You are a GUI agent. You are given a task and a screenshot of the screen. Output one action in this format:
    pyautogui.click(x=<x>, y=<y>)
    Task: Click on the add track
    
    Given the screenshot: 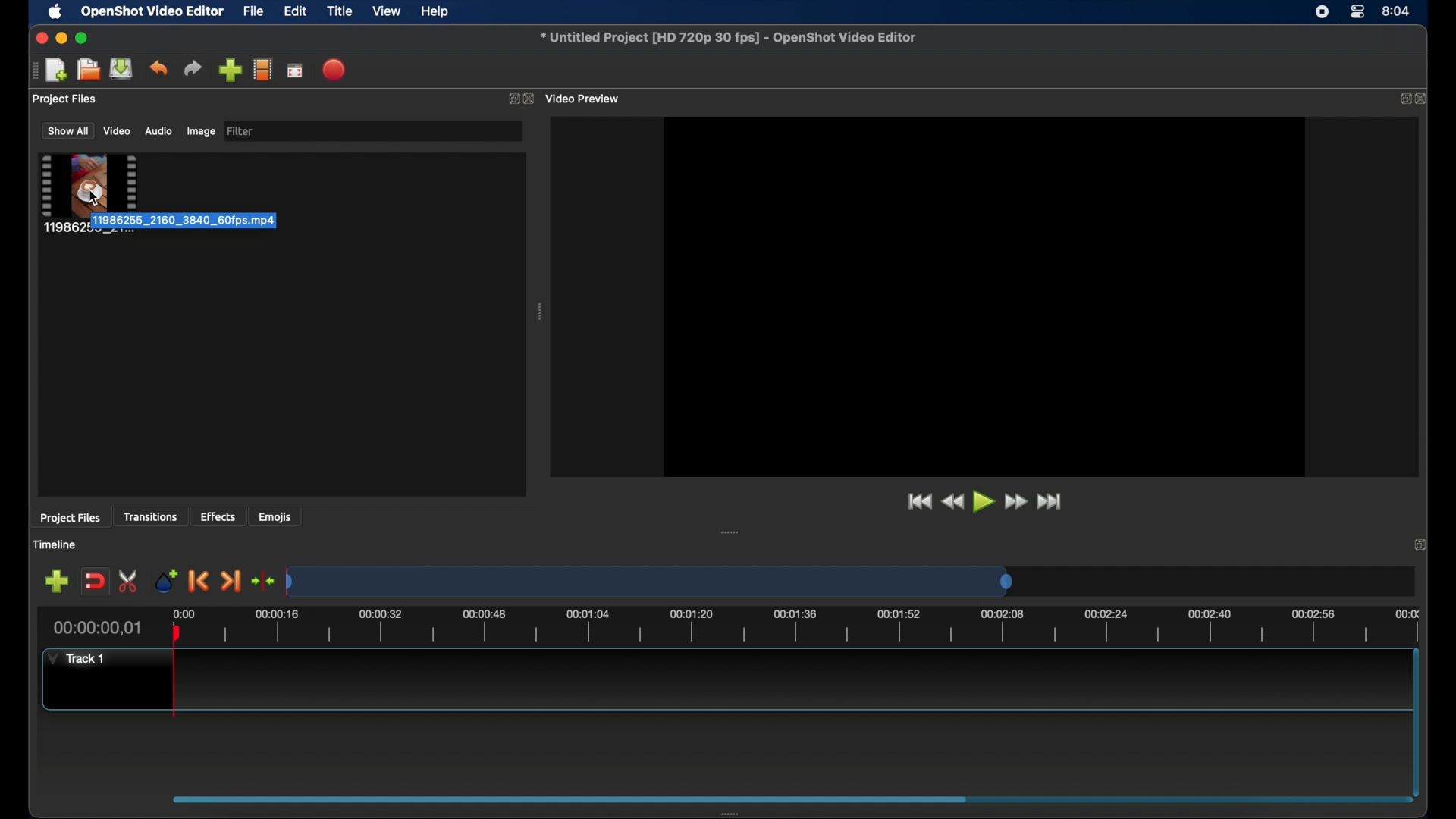 What is the action you would take?
    pyautogui.click(x=56, y=581)
    